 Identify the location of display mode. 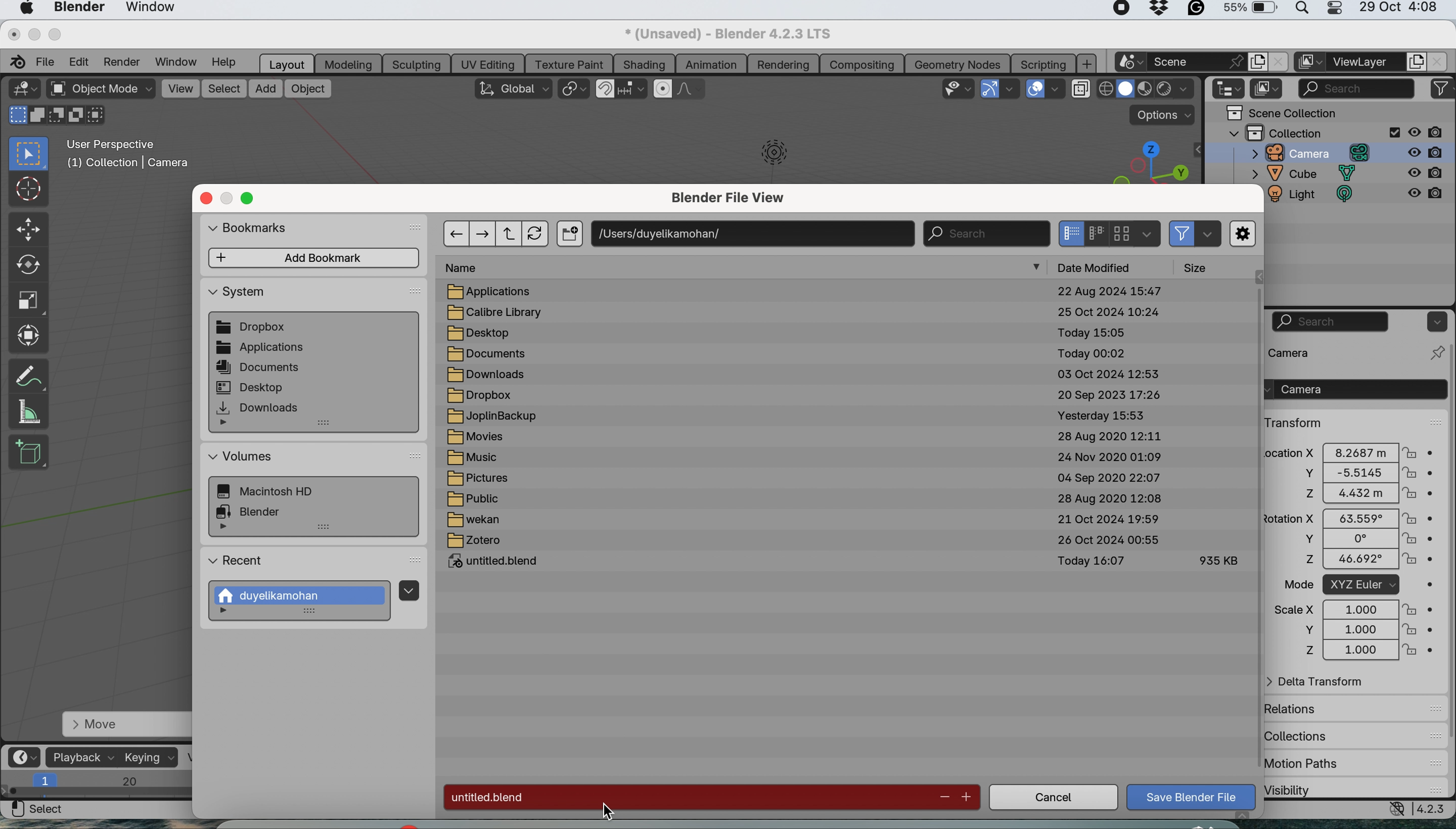
(1268, 89).